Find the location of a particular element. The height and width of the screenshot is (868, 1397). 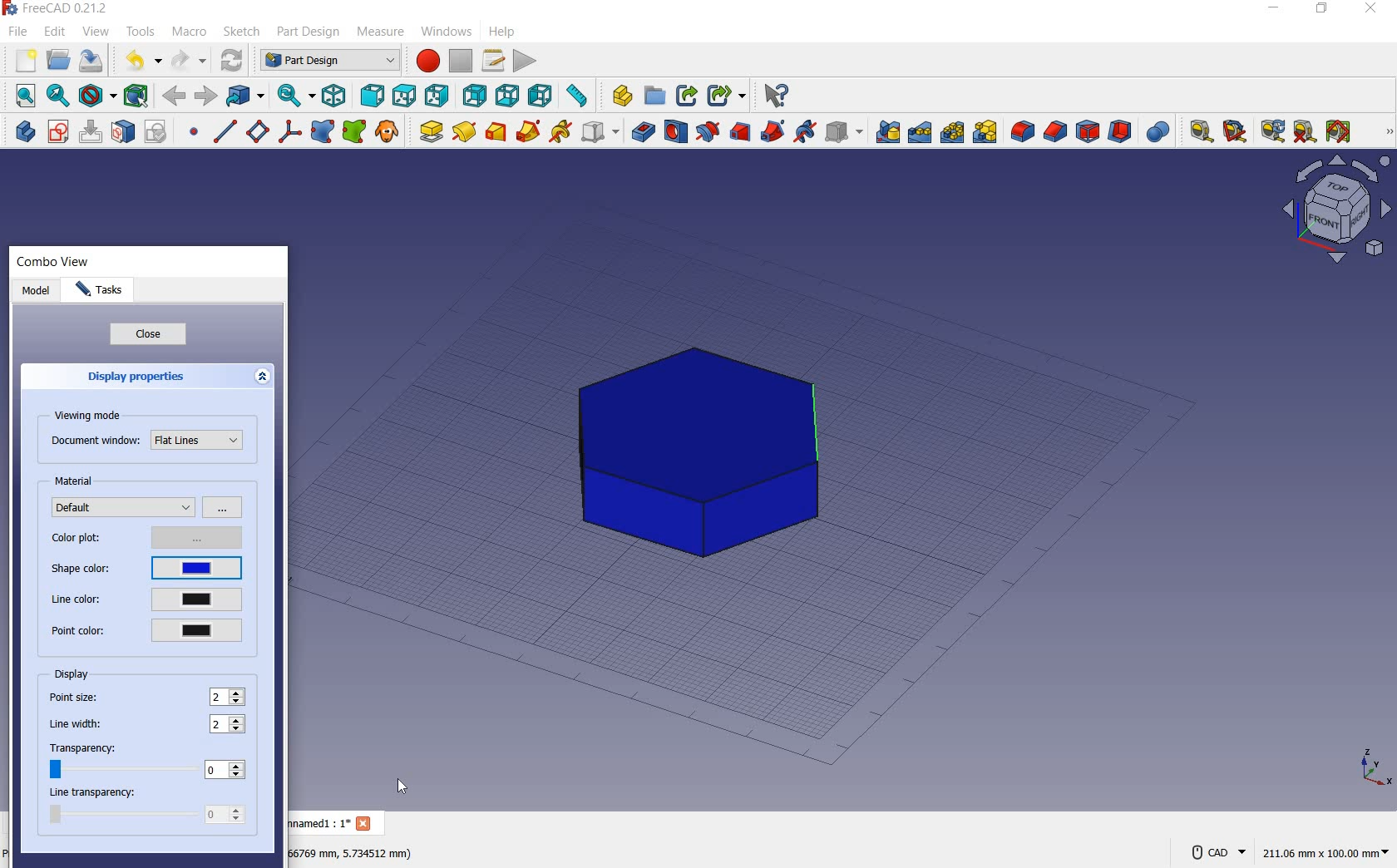

windows is located at coordinates (447, 34).